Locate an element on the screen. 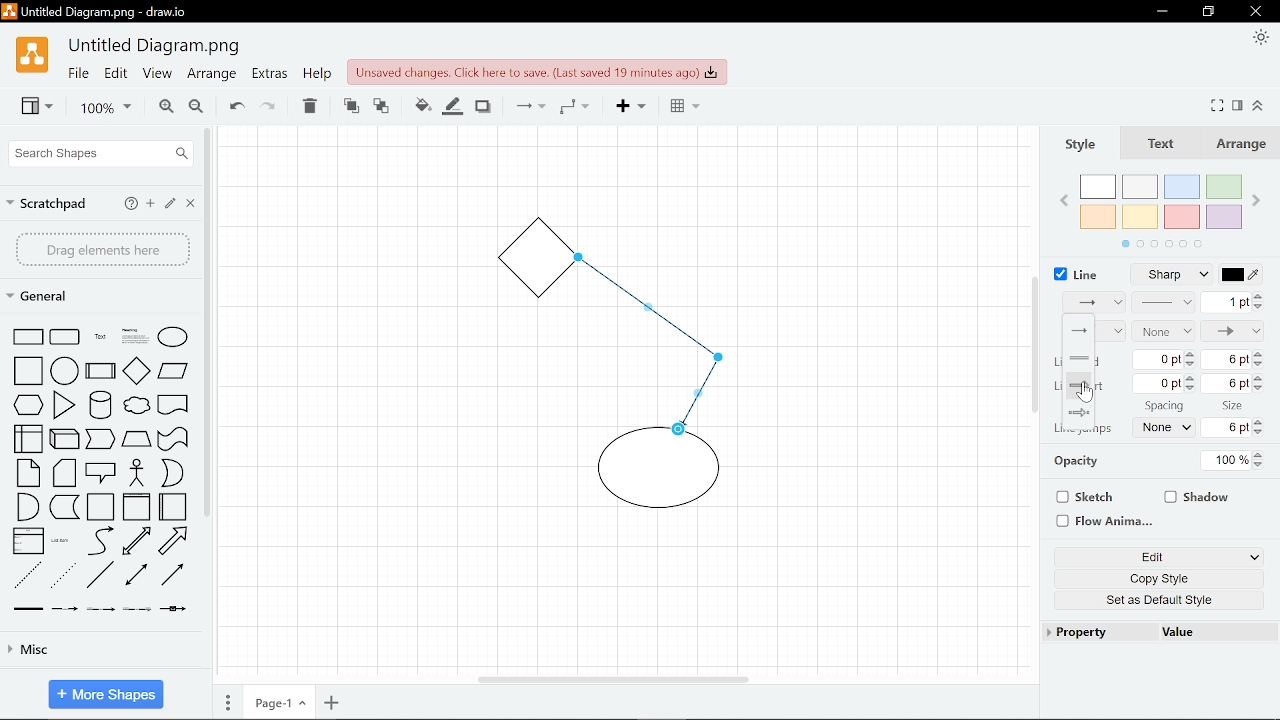 This screenshot has height=720, width=1280. Leftward arrow with a bar is located at coordinates (1078, 413).